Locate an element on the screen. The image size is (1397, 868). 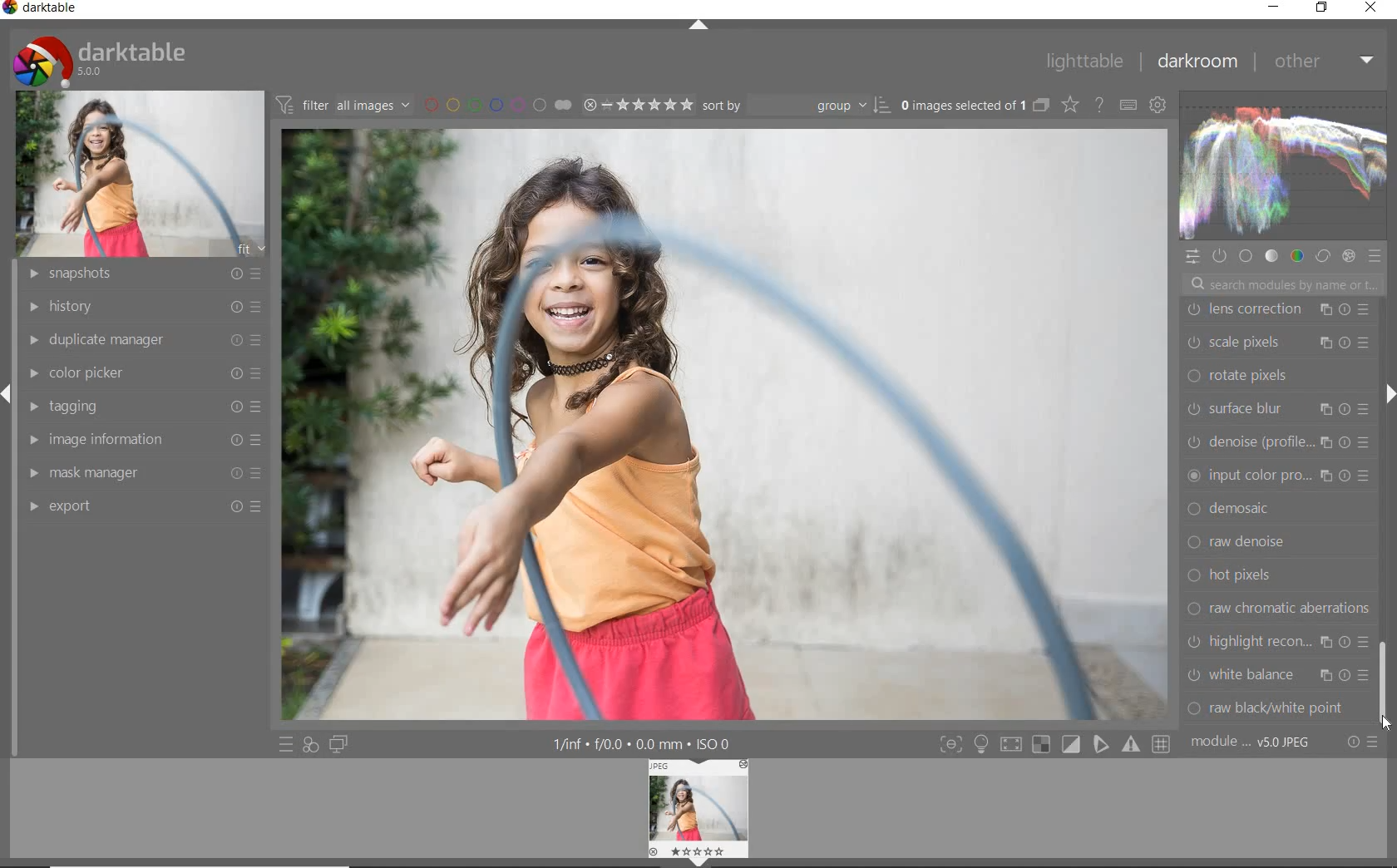
grain is located at coordinates (1283, 580).